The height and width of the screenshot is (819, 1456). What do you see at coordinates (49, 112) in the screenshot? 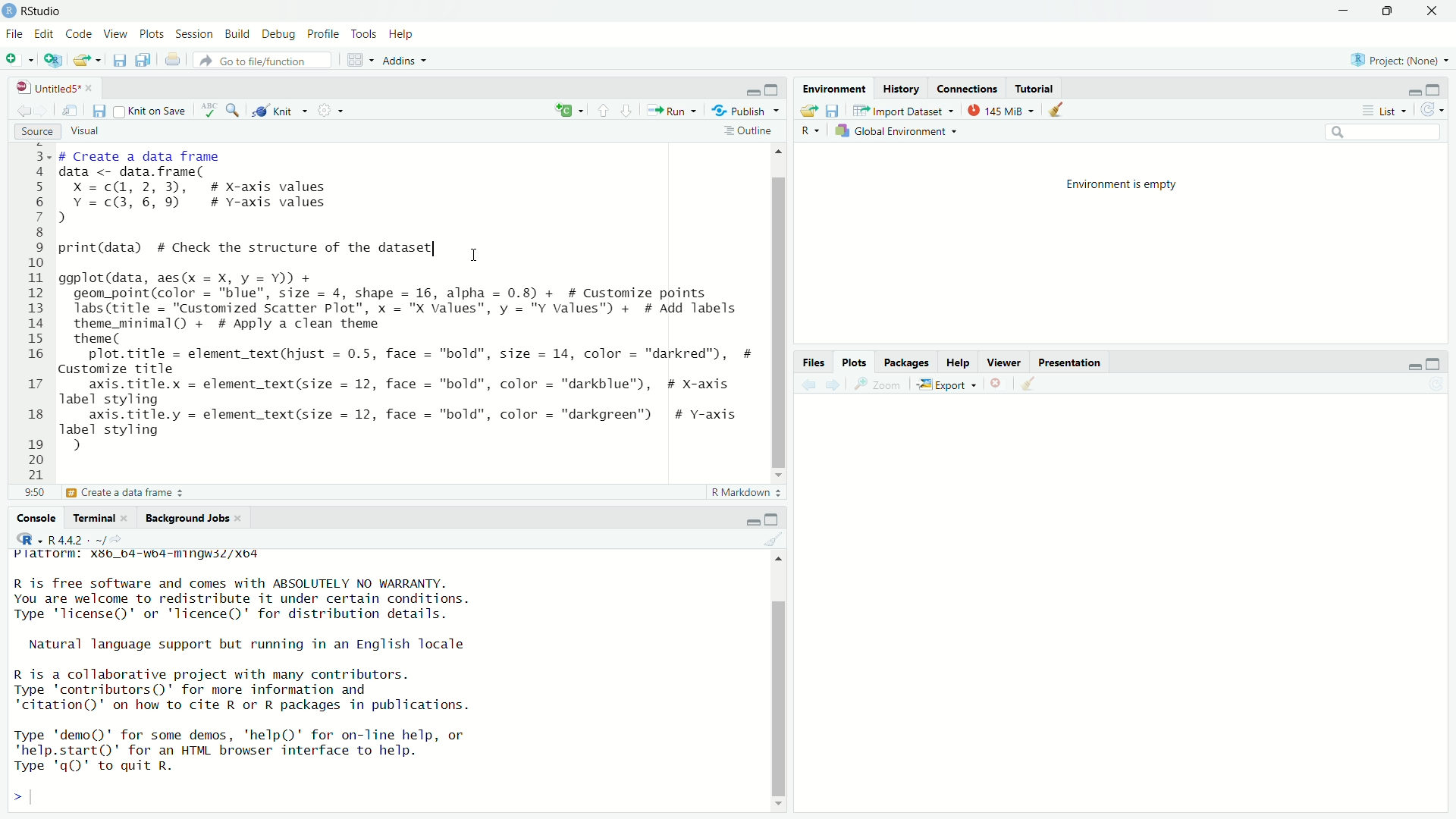
I see `Go forward to the next source location` at bounding box center [49, 112].